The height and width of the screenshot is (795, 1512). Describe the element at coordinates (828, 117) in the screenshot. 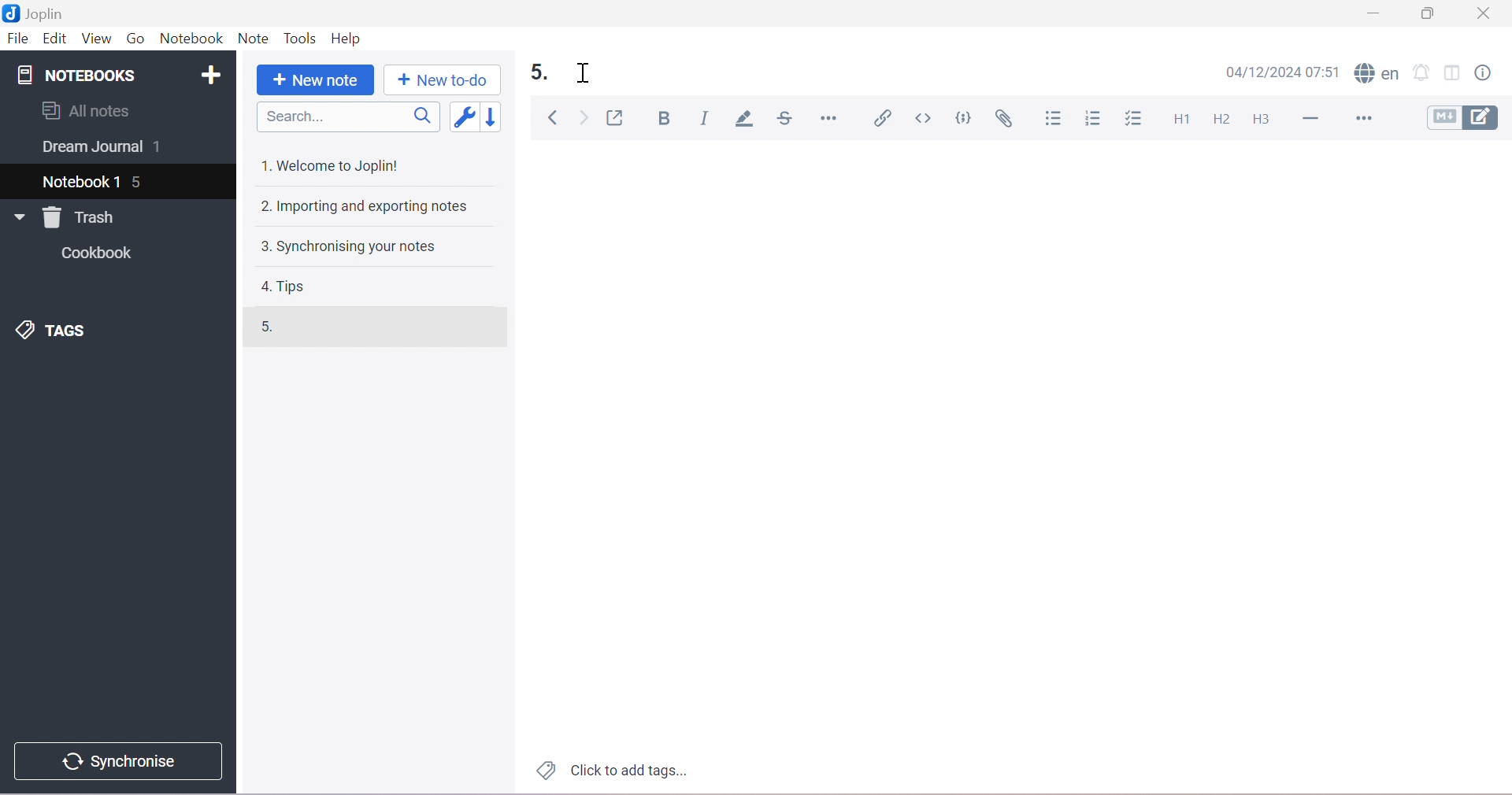

I see `Horizontal rule` at that location.